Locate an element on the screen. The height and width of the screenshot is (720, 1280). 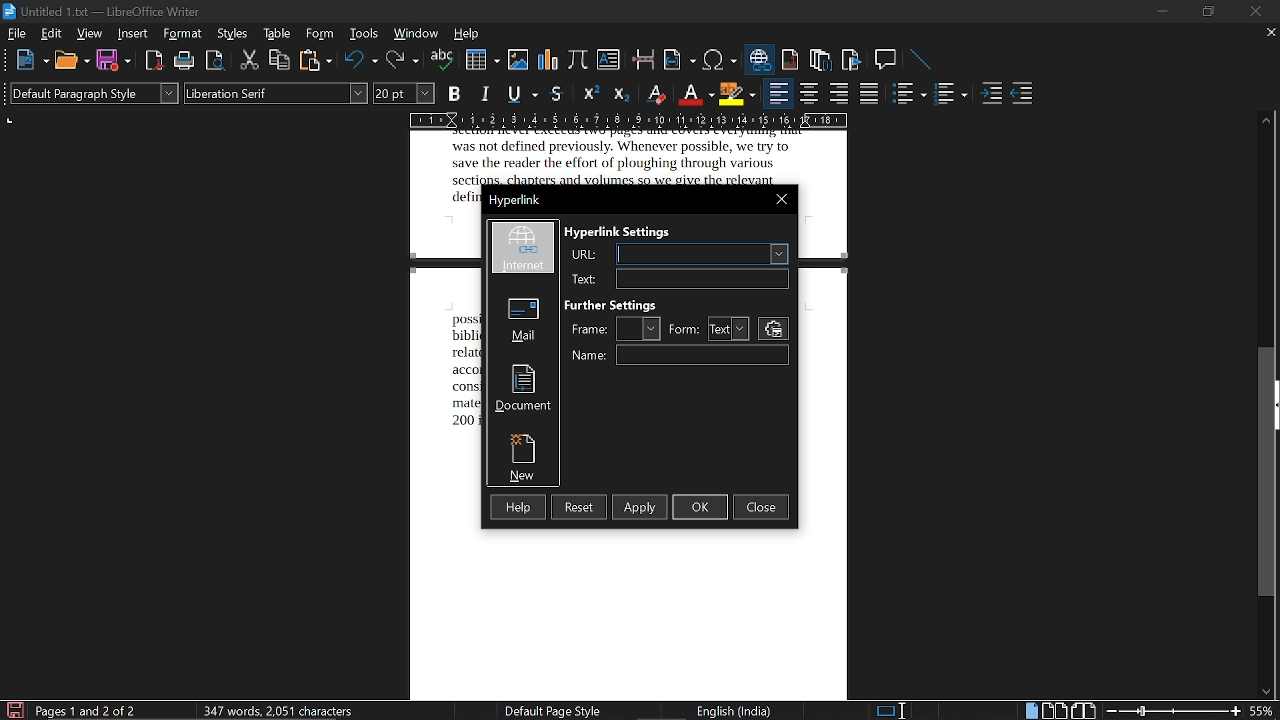
settings is located at coordinates (775, 330).